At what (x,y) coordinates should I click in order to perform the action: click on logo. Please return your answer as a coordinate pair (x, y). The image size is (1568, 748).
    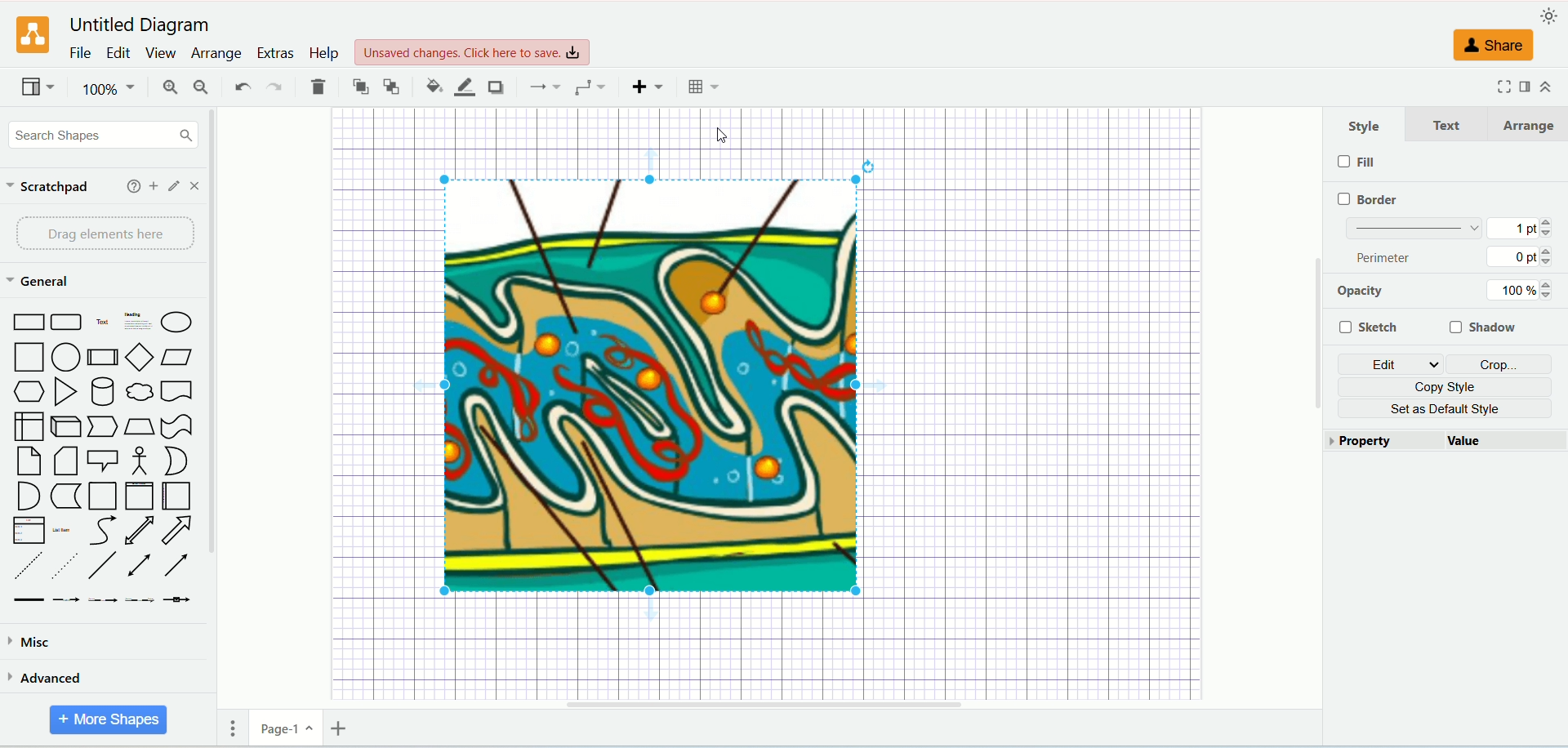
    Looking at the image, I should click on (33, 36).